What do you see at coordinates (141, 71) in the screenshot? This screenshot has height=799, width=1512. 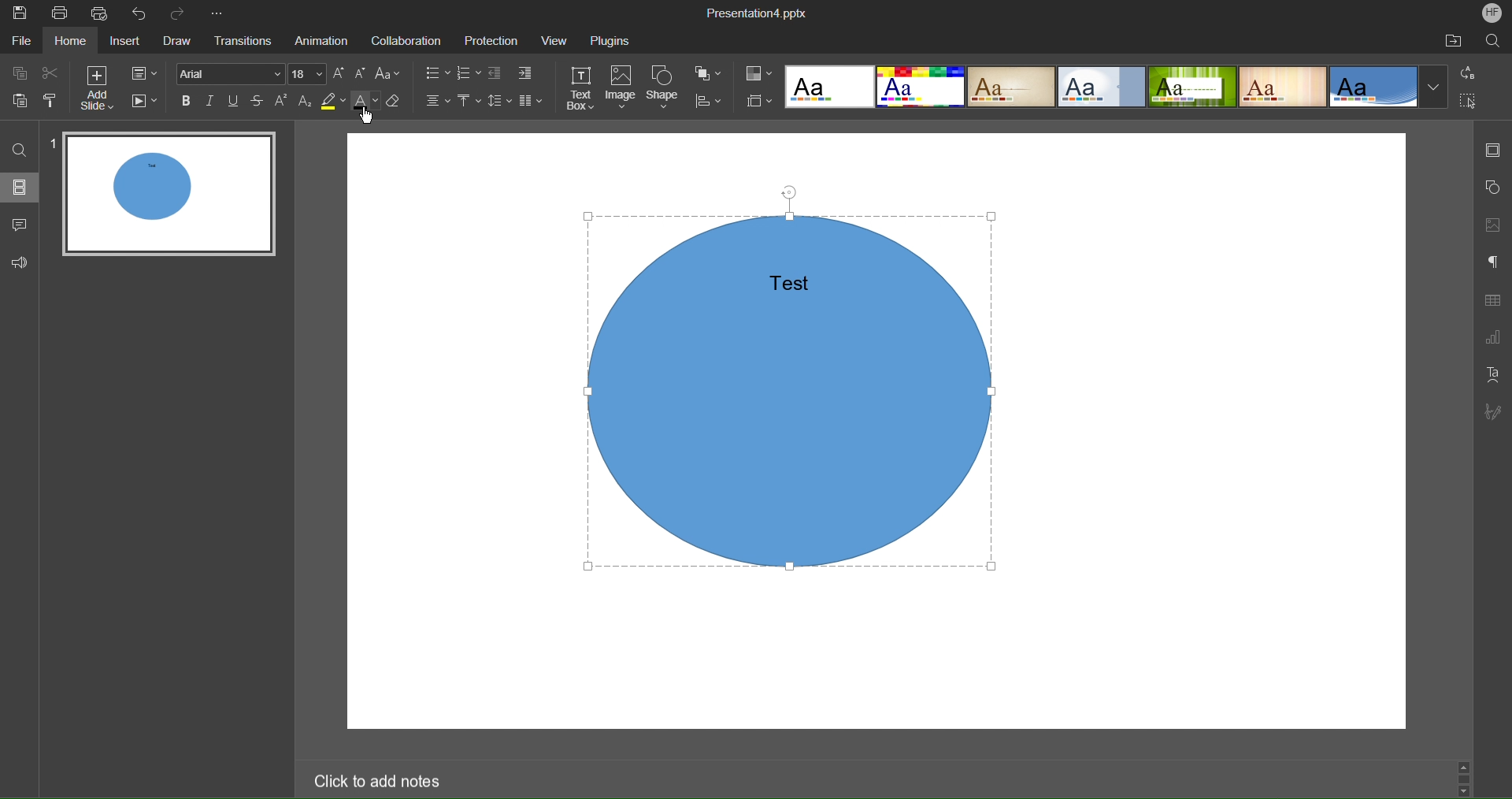 I see `Slide Settings` at bounding box center [141, 71].